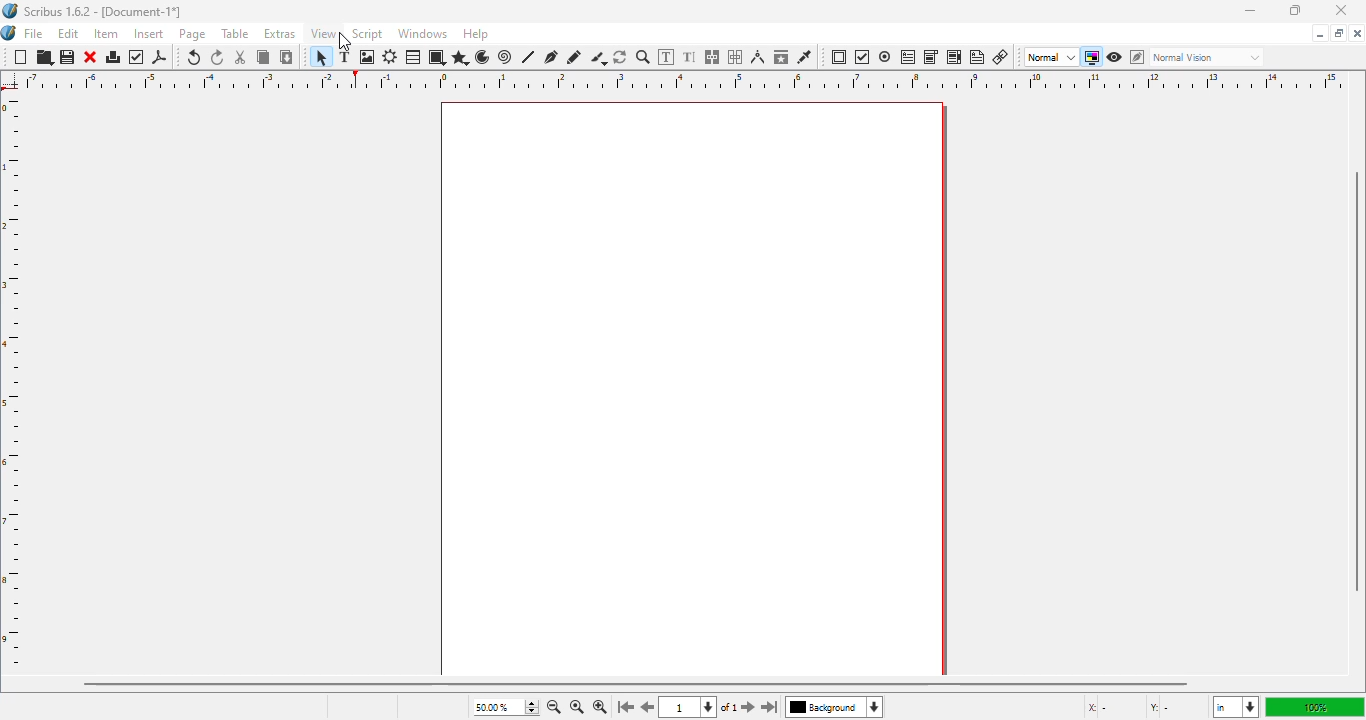  I want to click on cut, so click(241, 57).